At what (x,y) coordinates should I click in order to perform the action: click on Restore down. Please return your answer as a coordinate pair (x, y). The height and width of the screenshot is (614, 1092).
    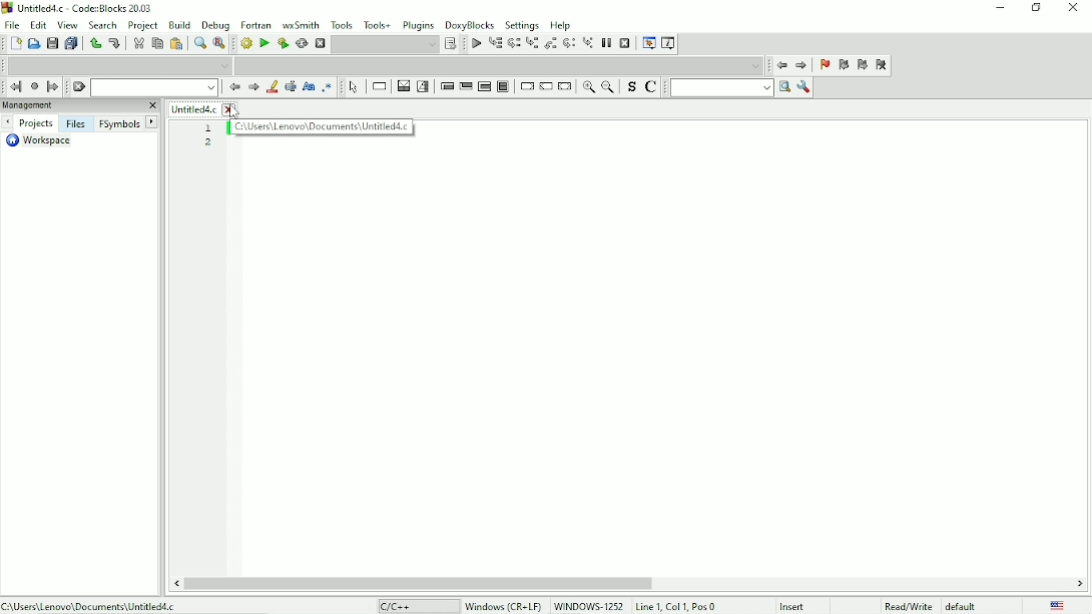
    Looking at the image, I should click on (1037, 8).